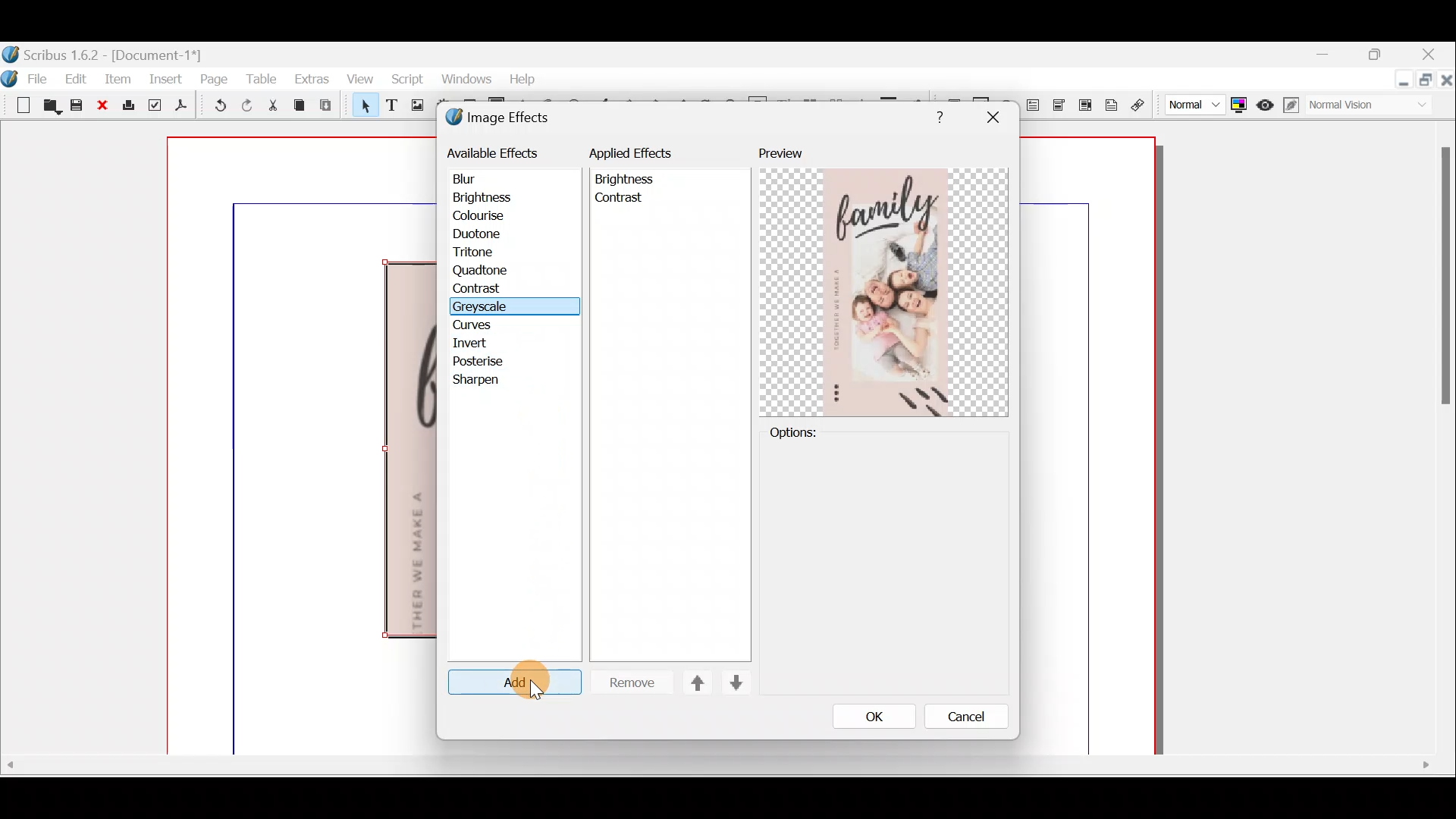 This screenshot has width=1456, height=819. I want to click on PDF text field, so click(1035, 110).